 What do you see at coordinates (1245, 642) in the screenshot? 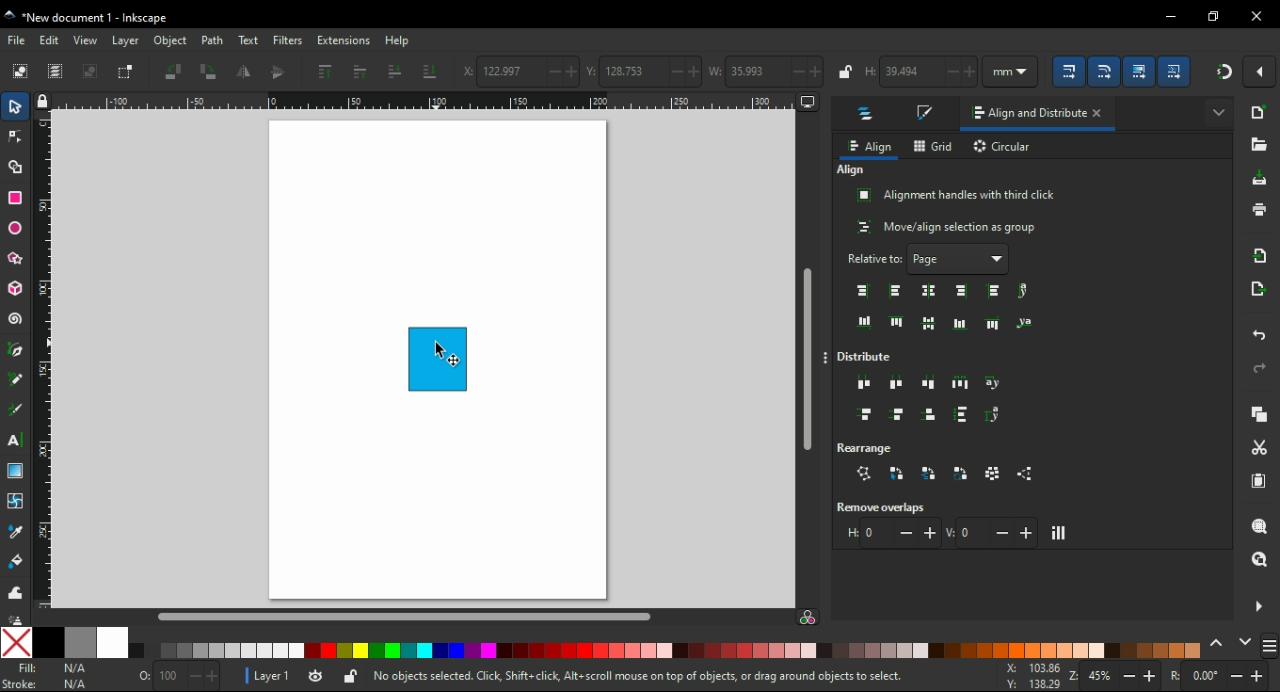
I see `next` at bounding box center [1245, 642].